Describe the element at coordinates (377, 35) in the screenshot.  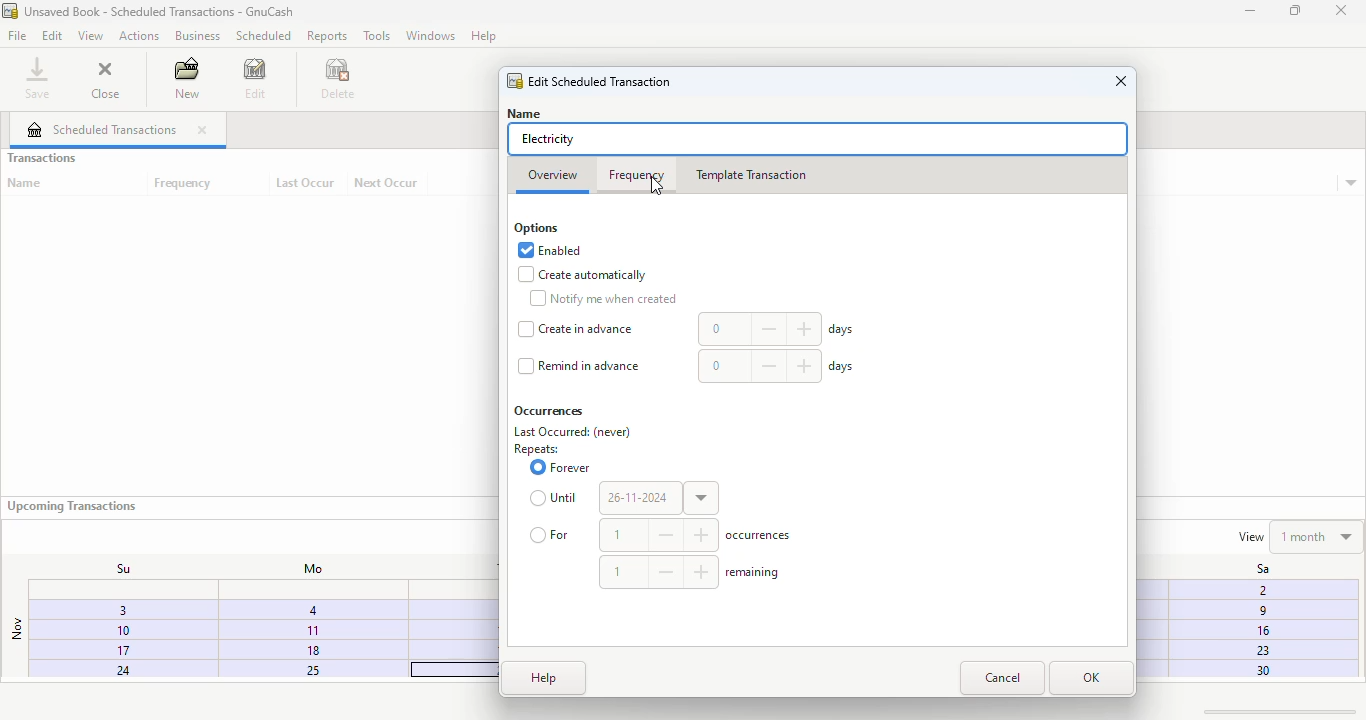
I see `tools` at that location.